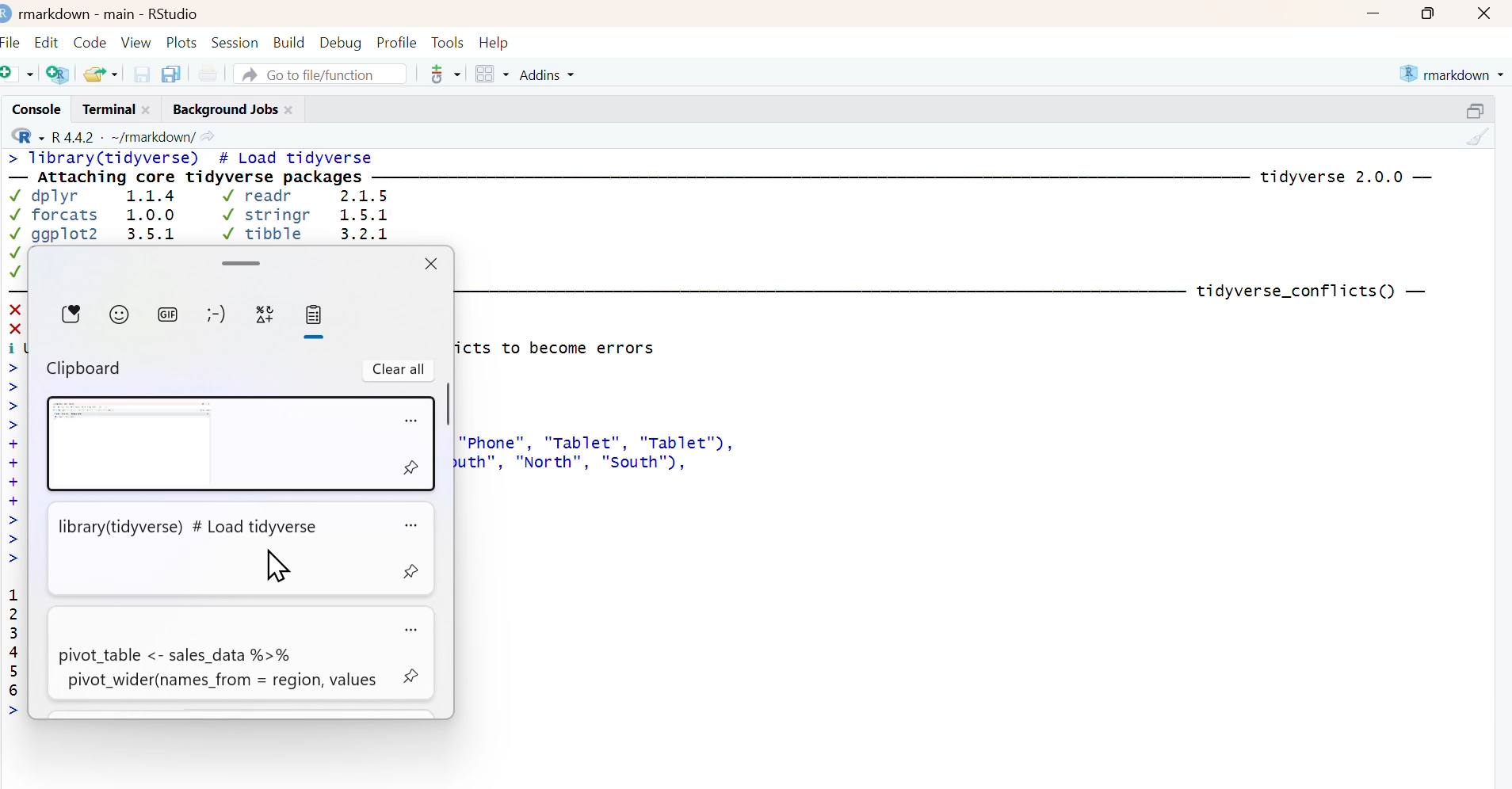  Describe the element at coordinates (223, 108) in the screenshot. I see `Background Jobs` at that location.